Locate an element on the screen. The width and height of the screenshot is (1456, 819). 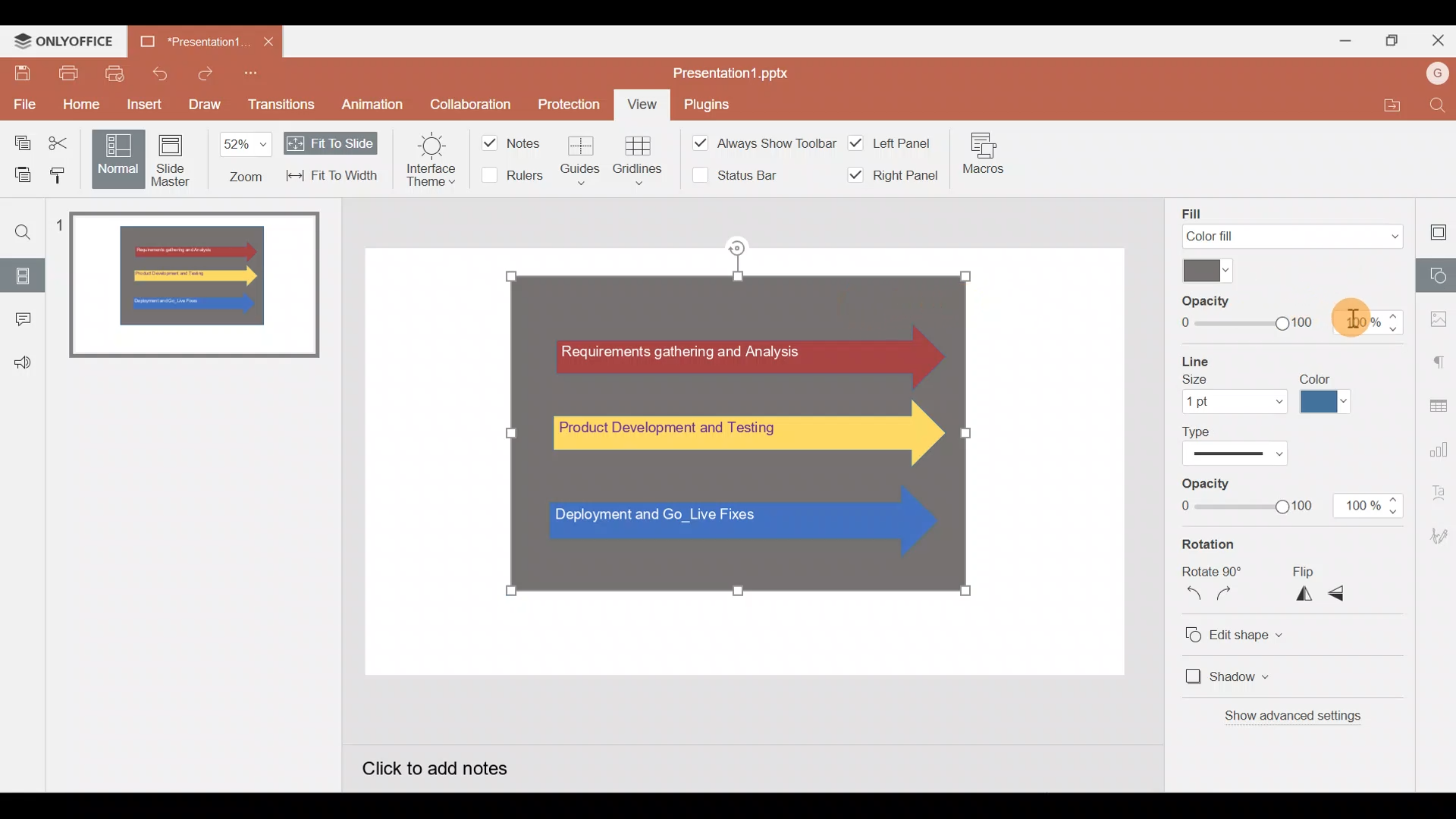
Paragraph settings is located at coordinates (1438, 358).